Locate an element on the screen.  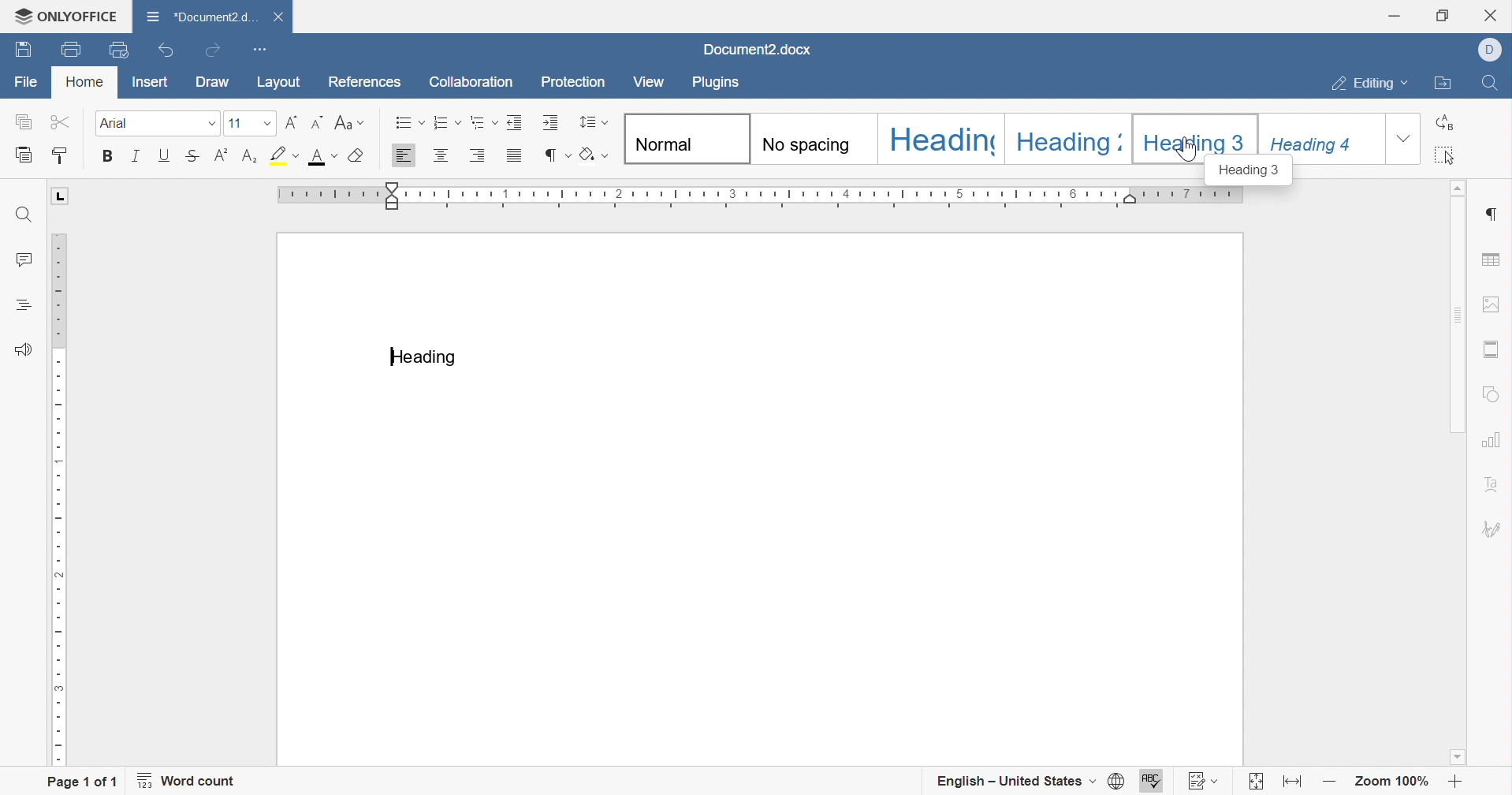
Set document language is located at coordinates (1115, 780).